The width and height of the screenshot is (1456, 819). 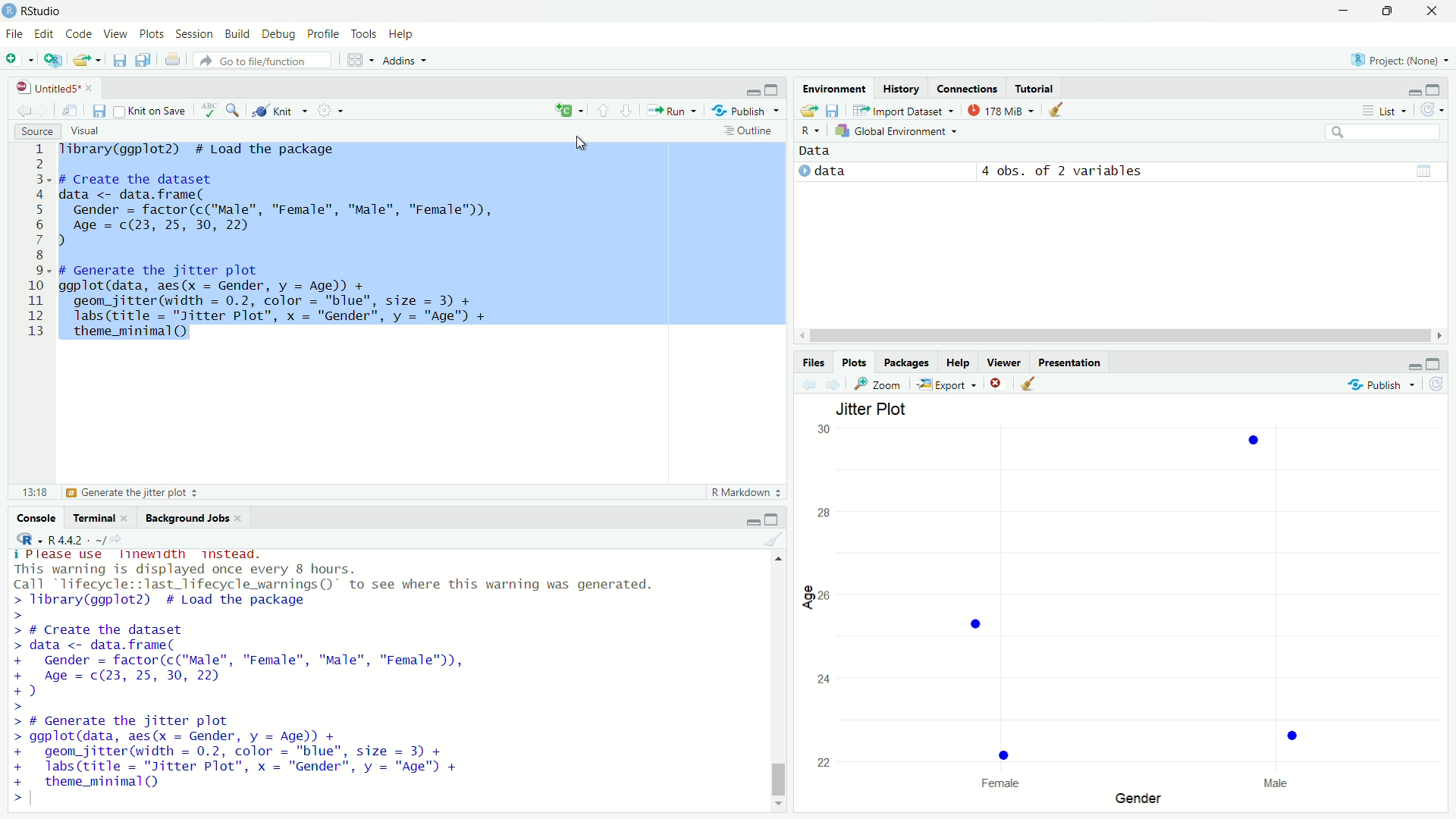 I want to click on code to create the dataset, so click(x=294, y=211).